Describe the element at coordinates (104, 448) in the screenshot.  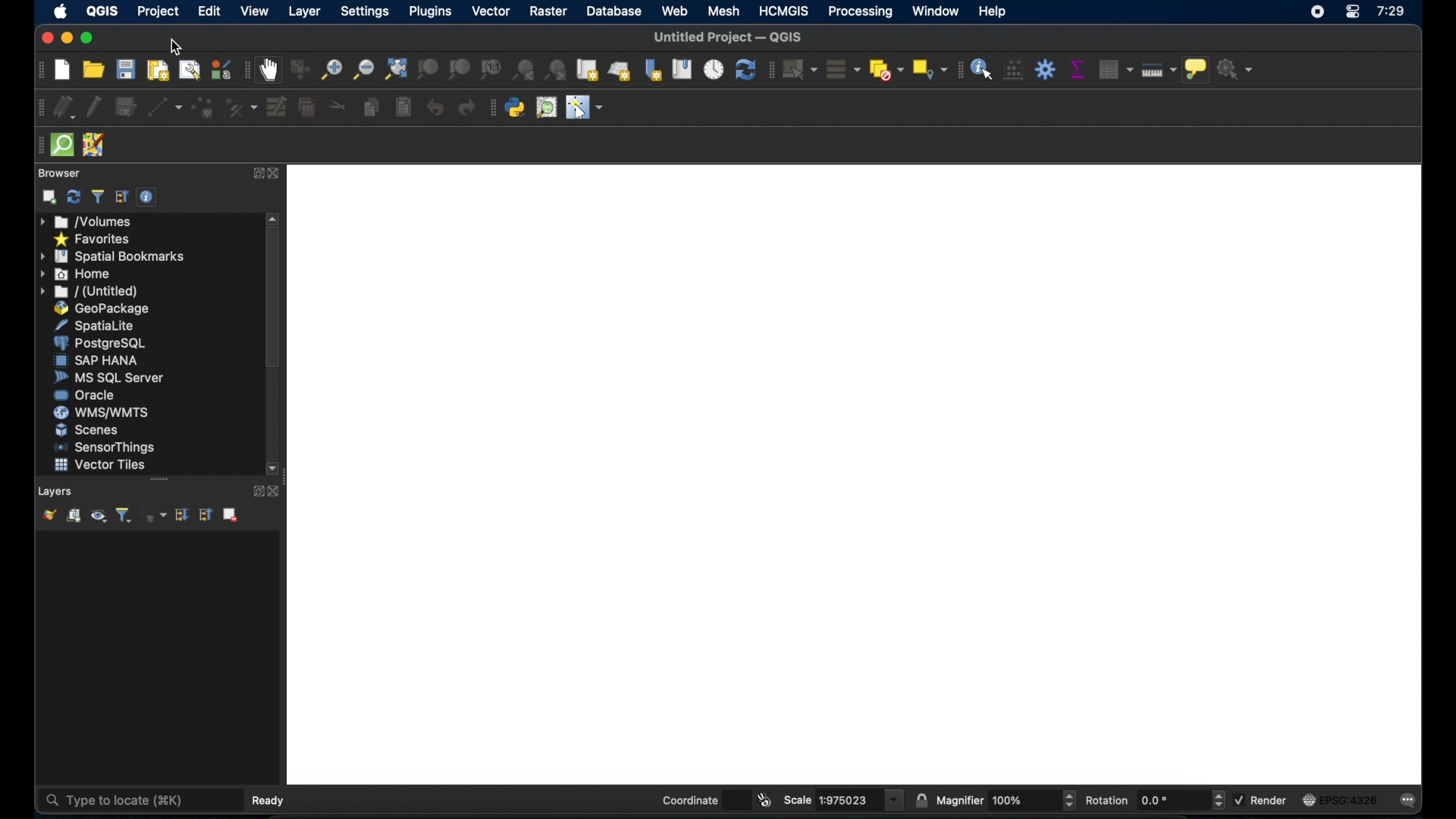
I see `sensor things` at that location.